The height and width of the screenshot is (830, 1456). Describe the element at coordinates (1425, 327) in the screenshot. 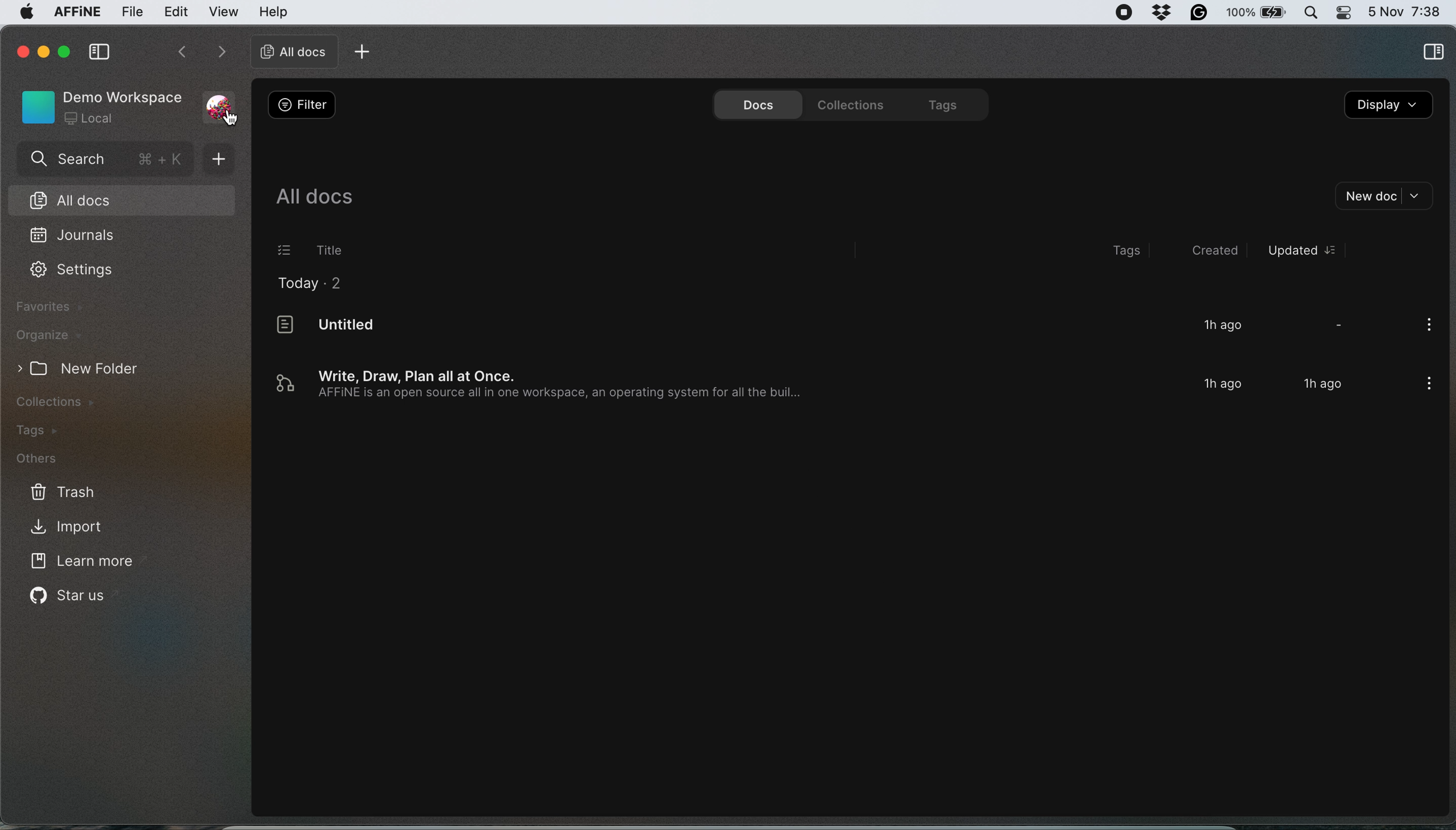

I see `more options` at that location.